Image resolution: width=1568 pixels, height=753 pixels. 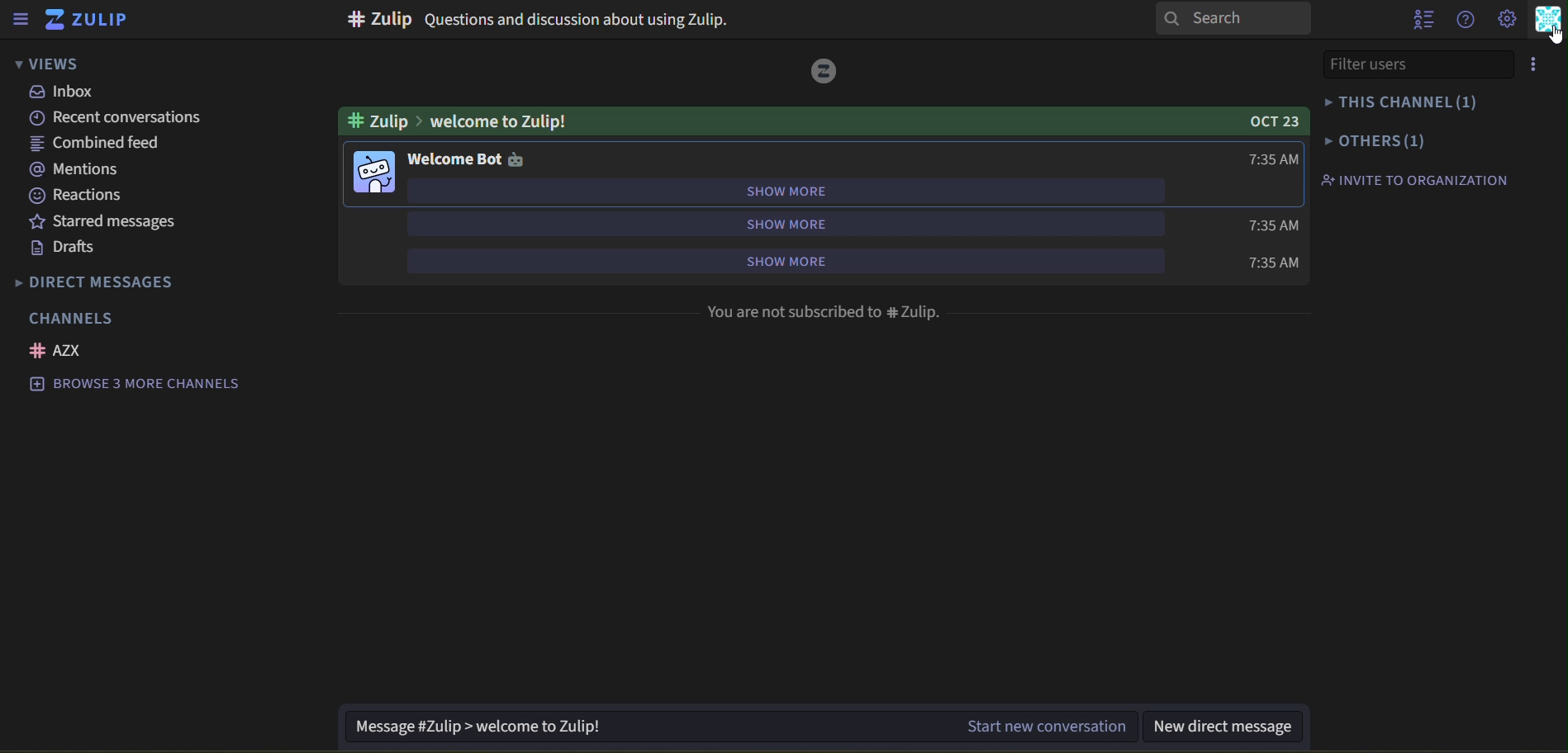 What do you see at coordinates (1507, 19) in the screenshot?
I see `main menu` at bounding box center [1507, 19].